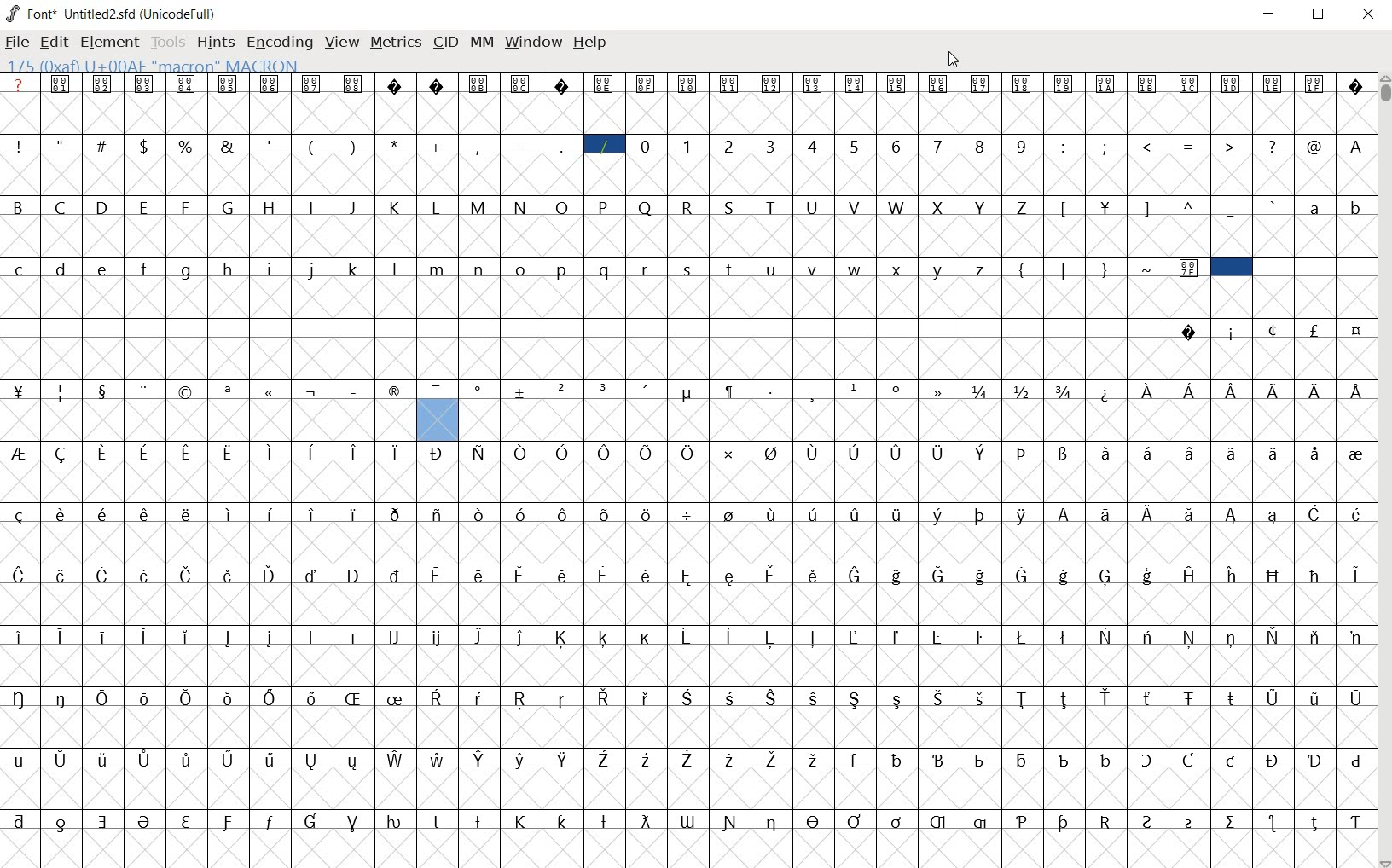 Image resolution: width=1392 pixels, height=868 pixels. What do you see at coordinates (19, 145) in the screenshot?
I see `!` at bounding box center [19, 145].